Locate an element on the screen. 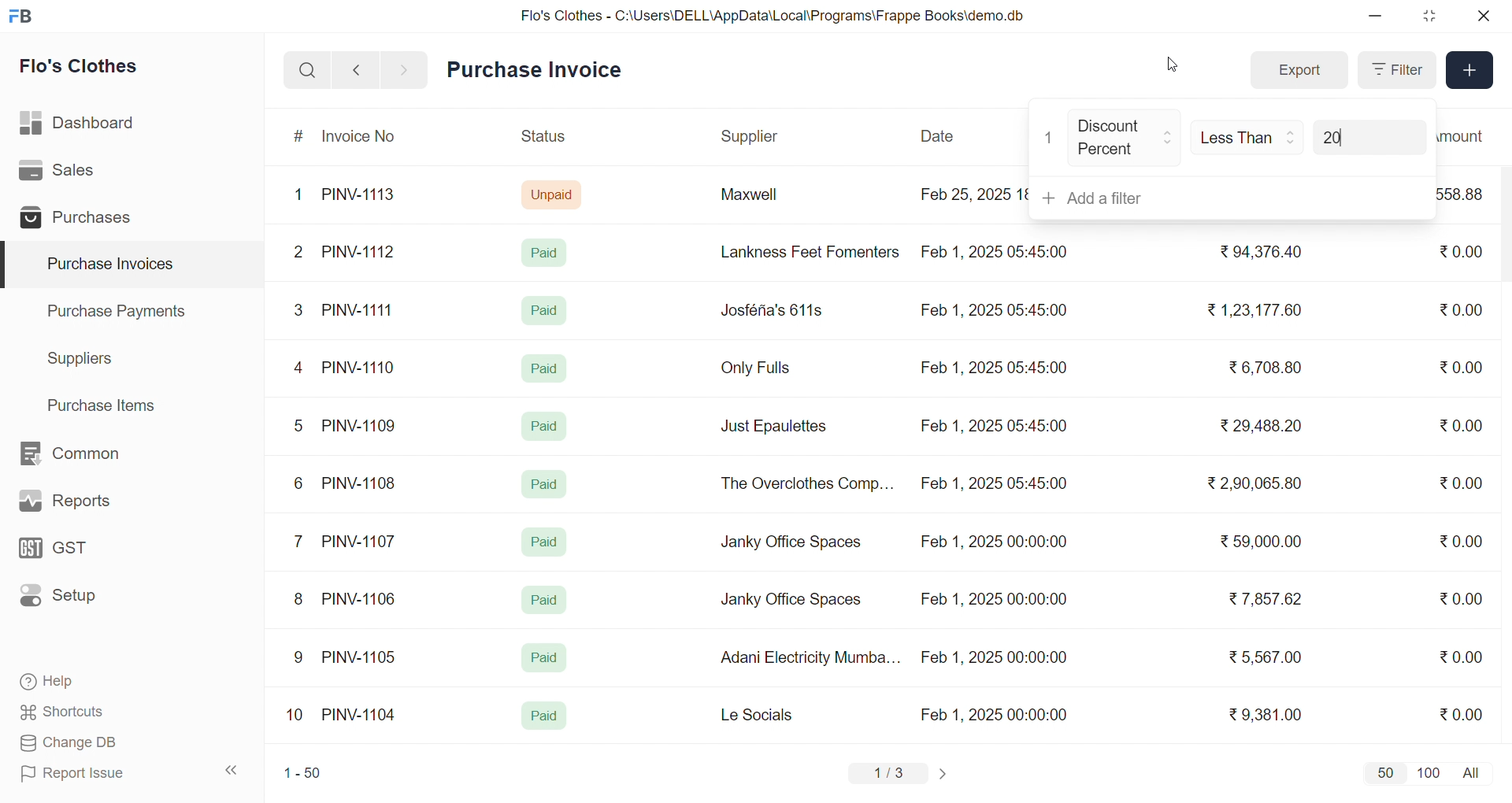  Adani Electricity Mumba... is located at coordinates (812, 658).